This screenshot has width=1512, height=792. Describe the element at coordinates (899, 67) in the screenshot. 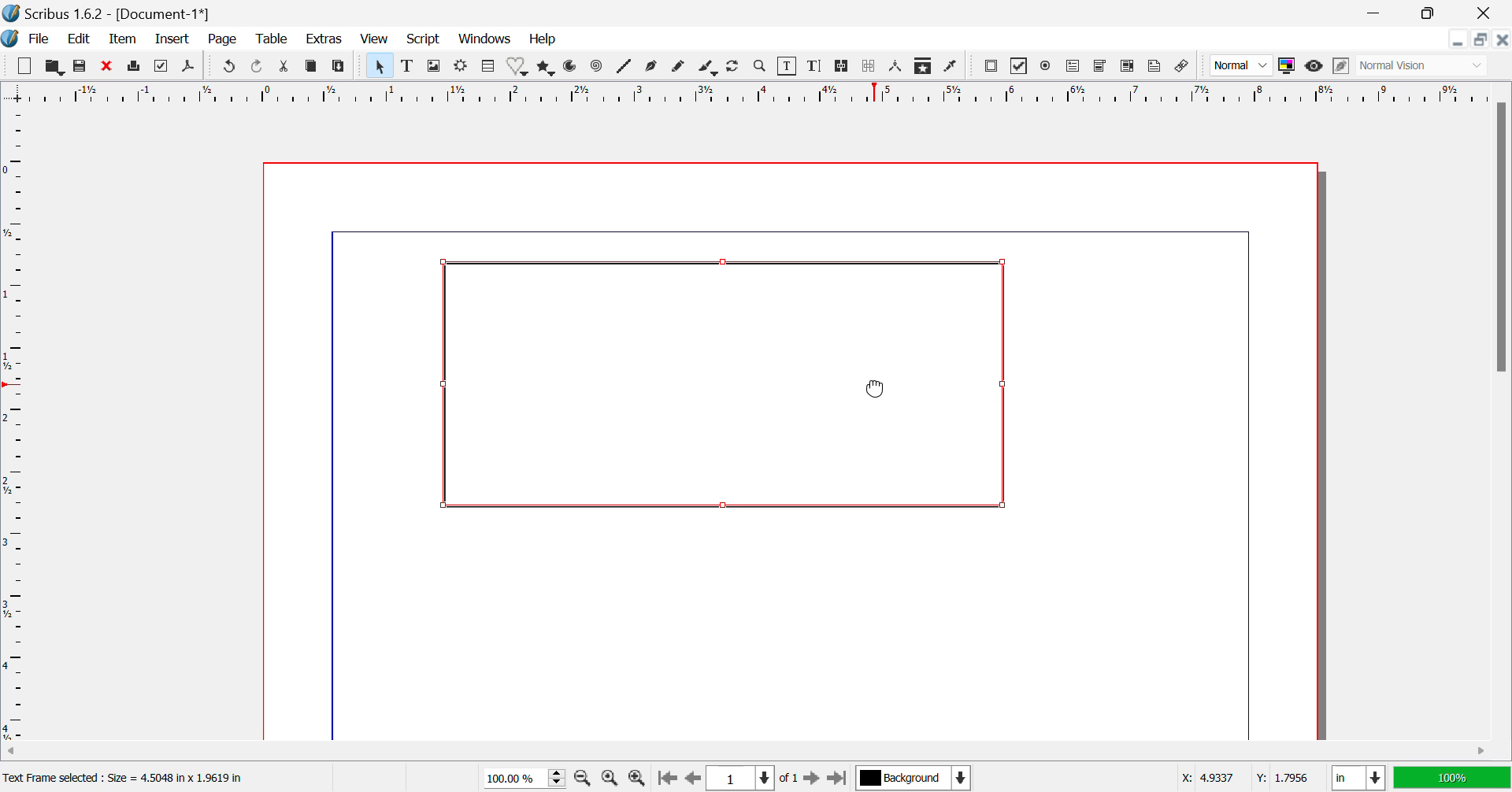

I see `Measurements` at that location.